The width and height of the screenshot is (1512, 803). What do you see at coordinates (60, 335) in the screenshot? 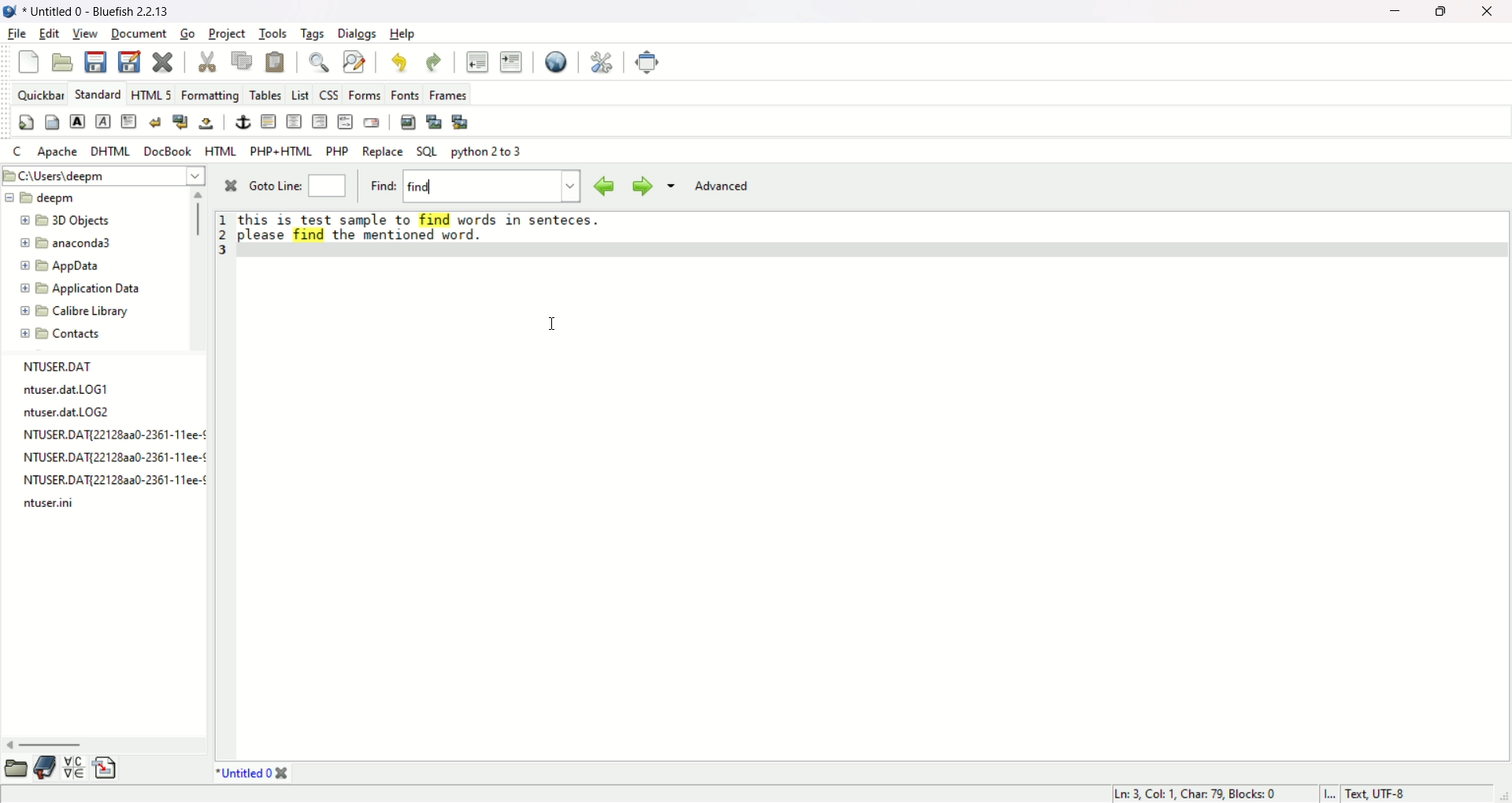
I see `contacts` at bounding box center [60, 335].